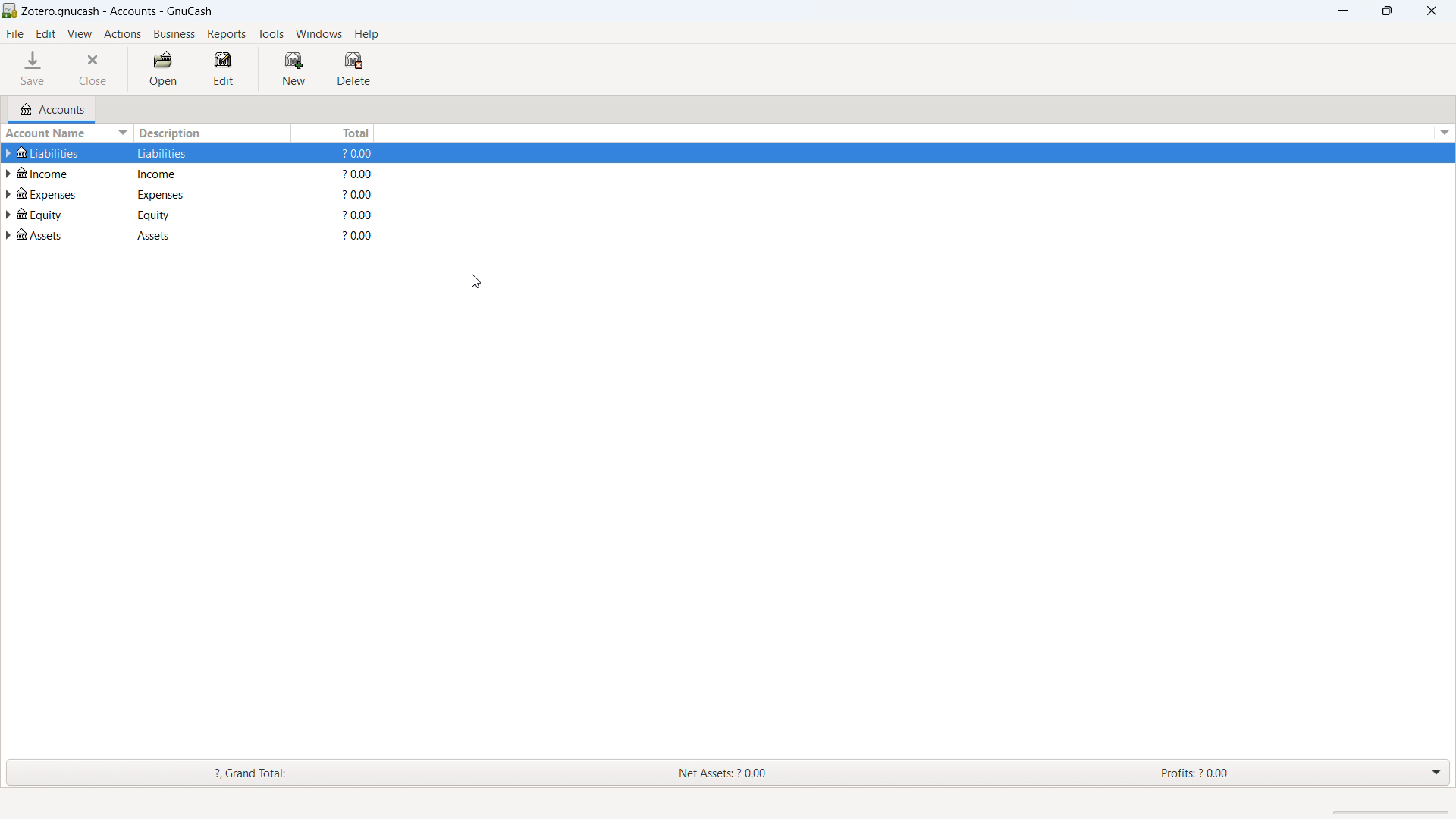 The image size is (1456, 819). What do you see at coordinates (96, 69) in the screenshot?
I see `close` at bounding box center [96, 69].